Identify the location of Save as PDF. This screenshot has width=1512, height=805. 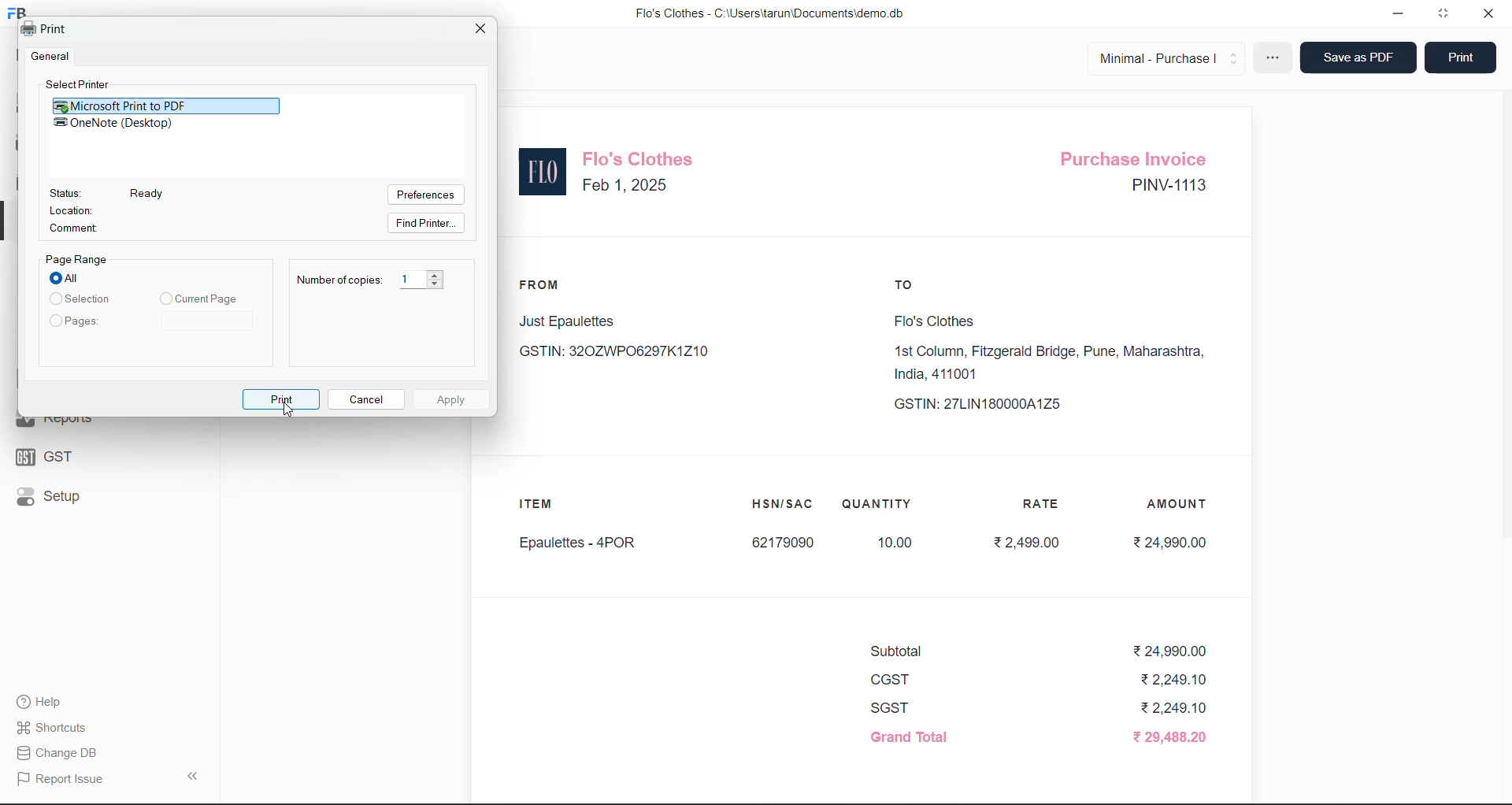
(1359, 57).